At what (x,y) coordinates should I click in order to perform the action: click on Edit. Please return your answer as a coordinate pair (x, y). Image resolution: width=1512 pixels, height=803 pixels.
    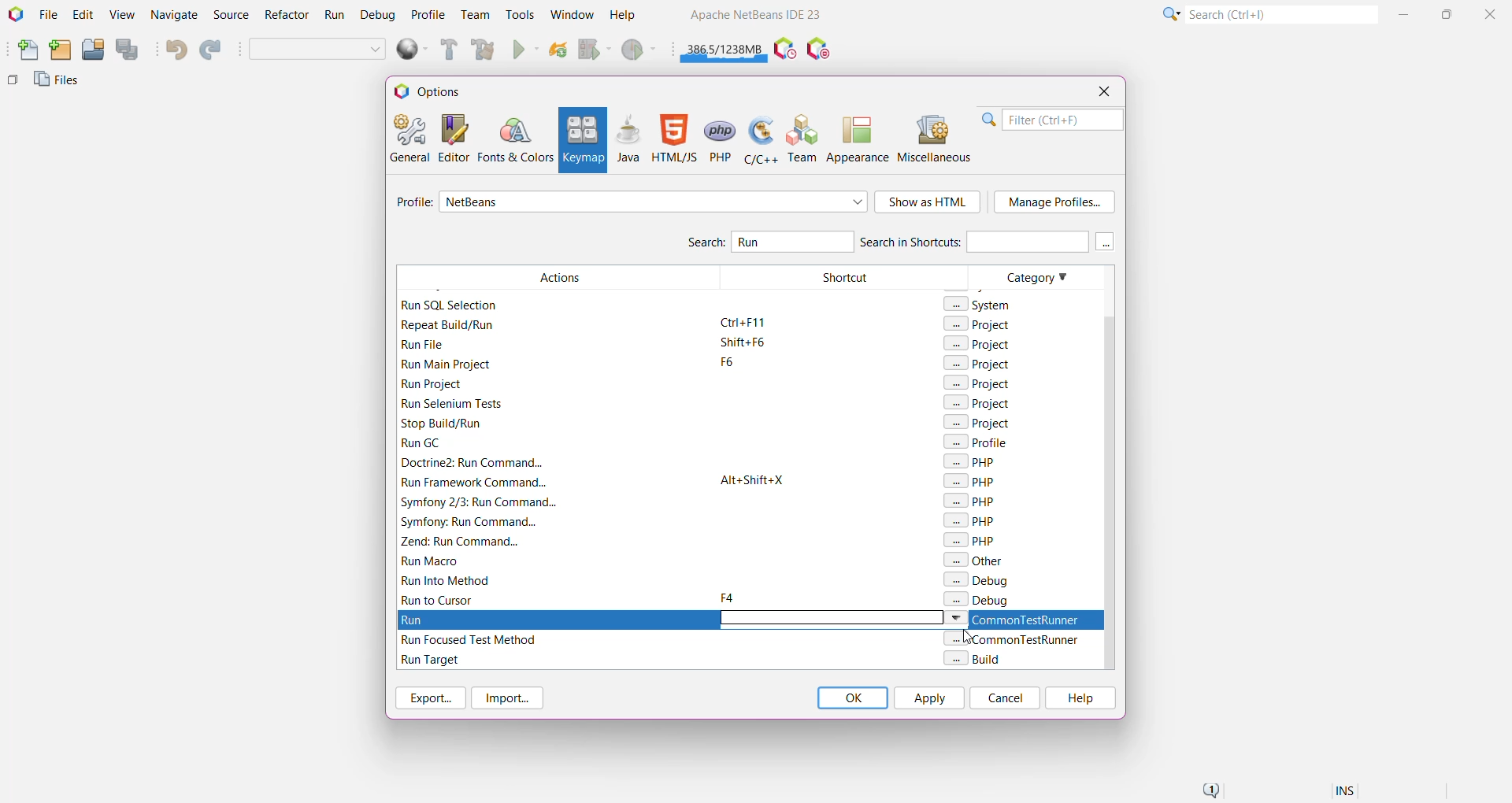
    Looking at the image, I should click on (83, 16).